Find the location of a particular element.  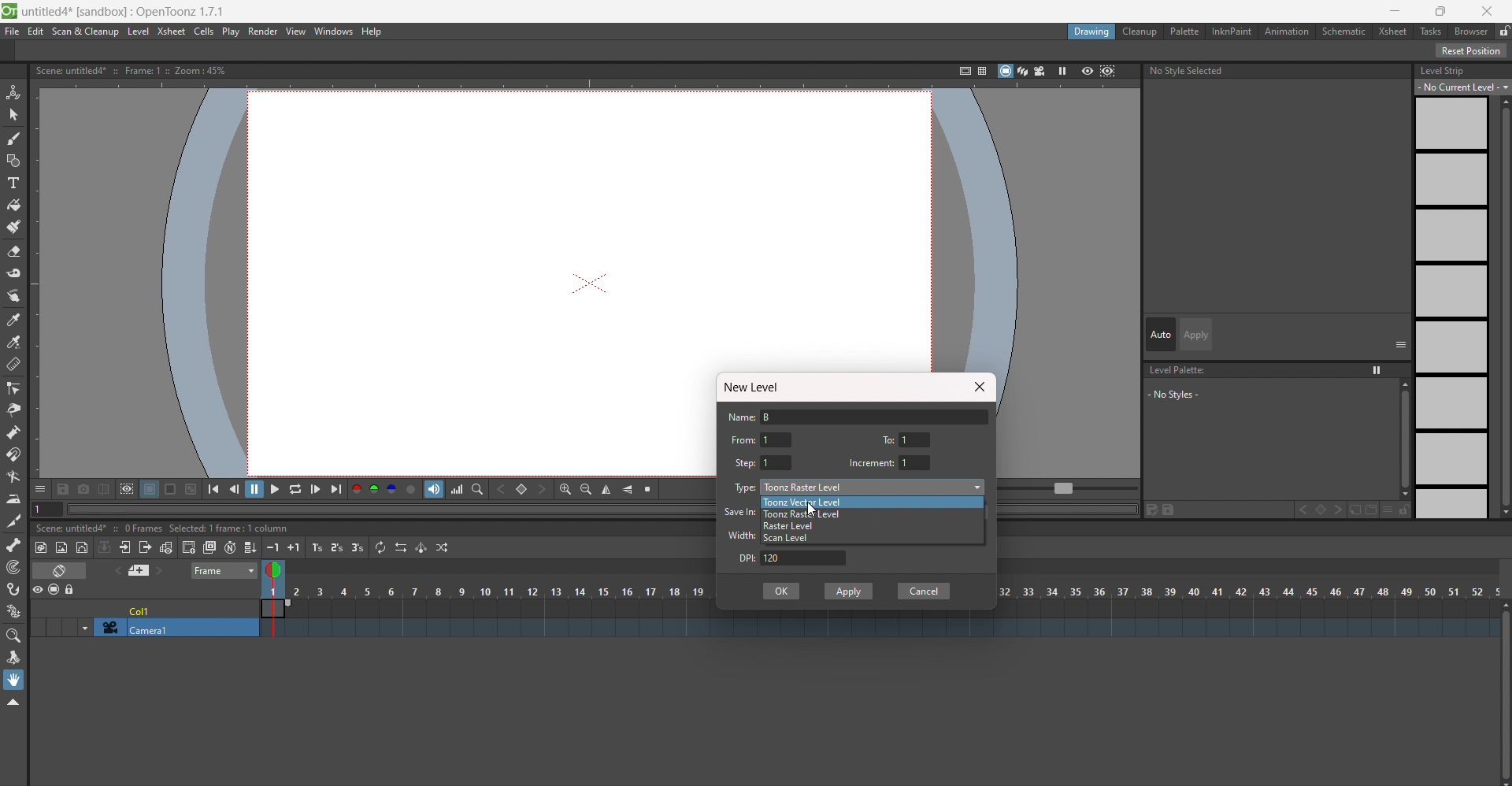

tool is located at coordinates (150, 489).